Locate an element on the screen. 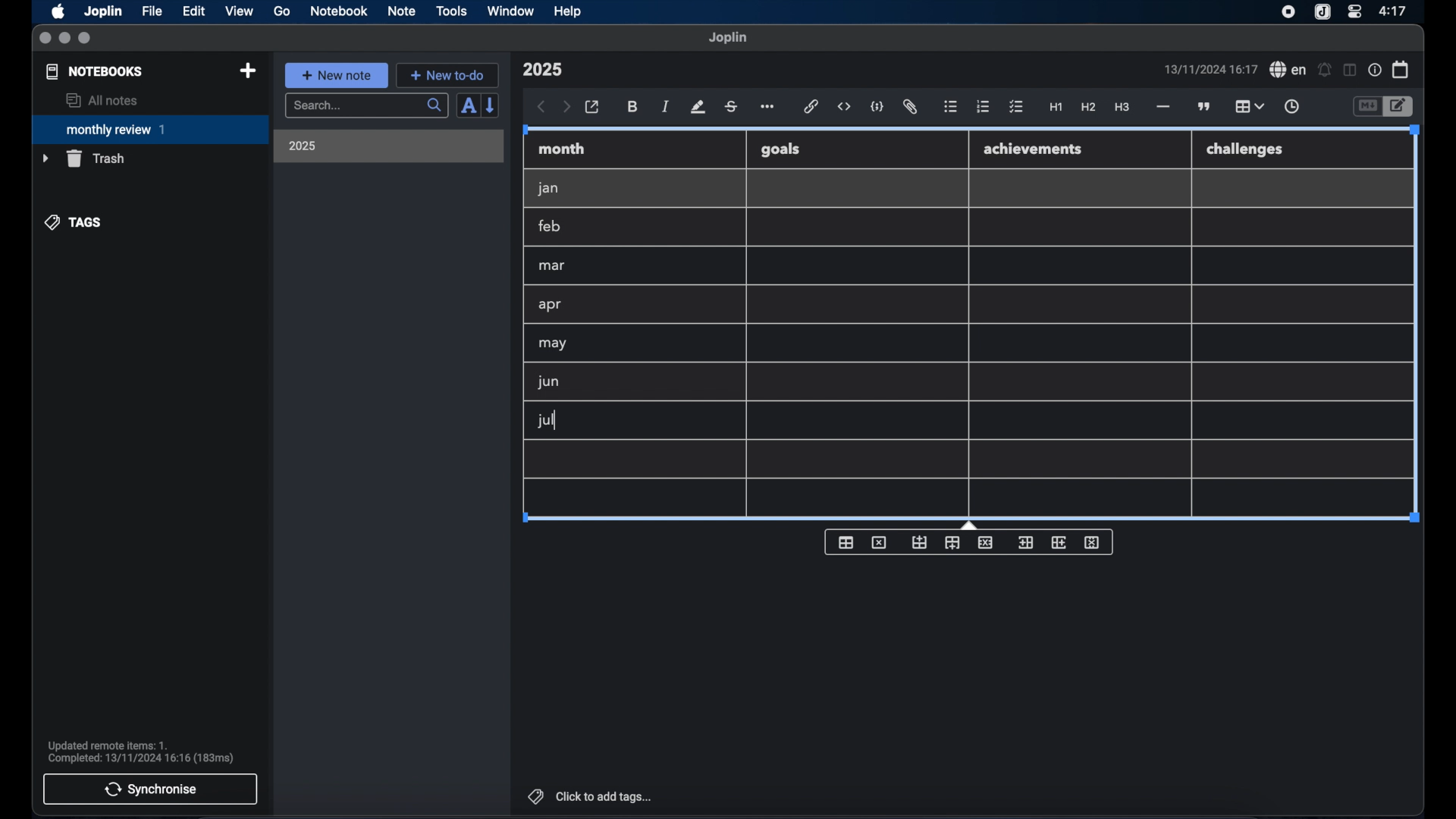  synchronise is located at coordinates (150, 789).